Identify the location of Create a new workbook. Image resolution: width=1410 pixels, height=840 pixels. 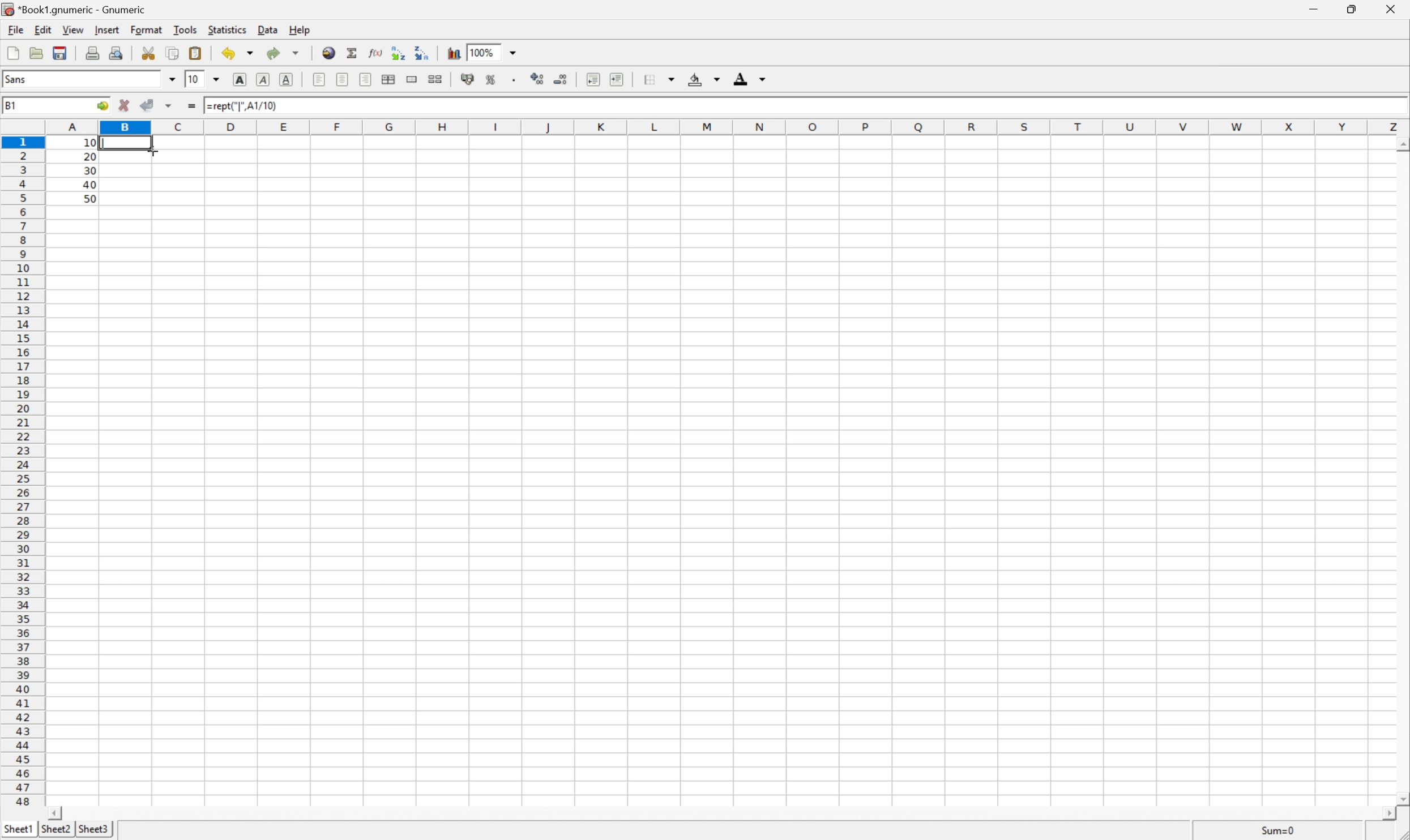
(14, 52).